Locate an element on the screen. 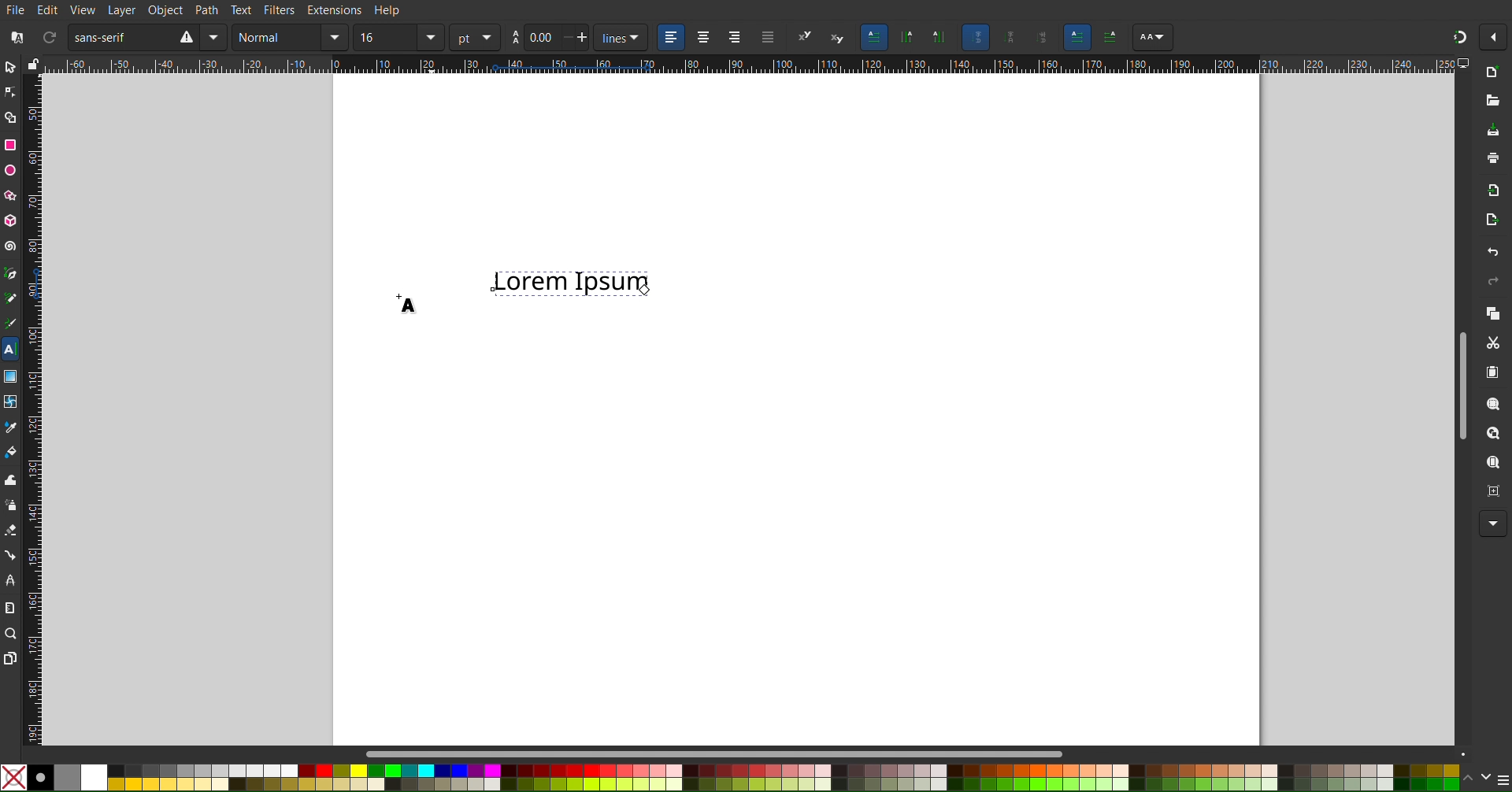  0 is located at coordinates (540, 37).